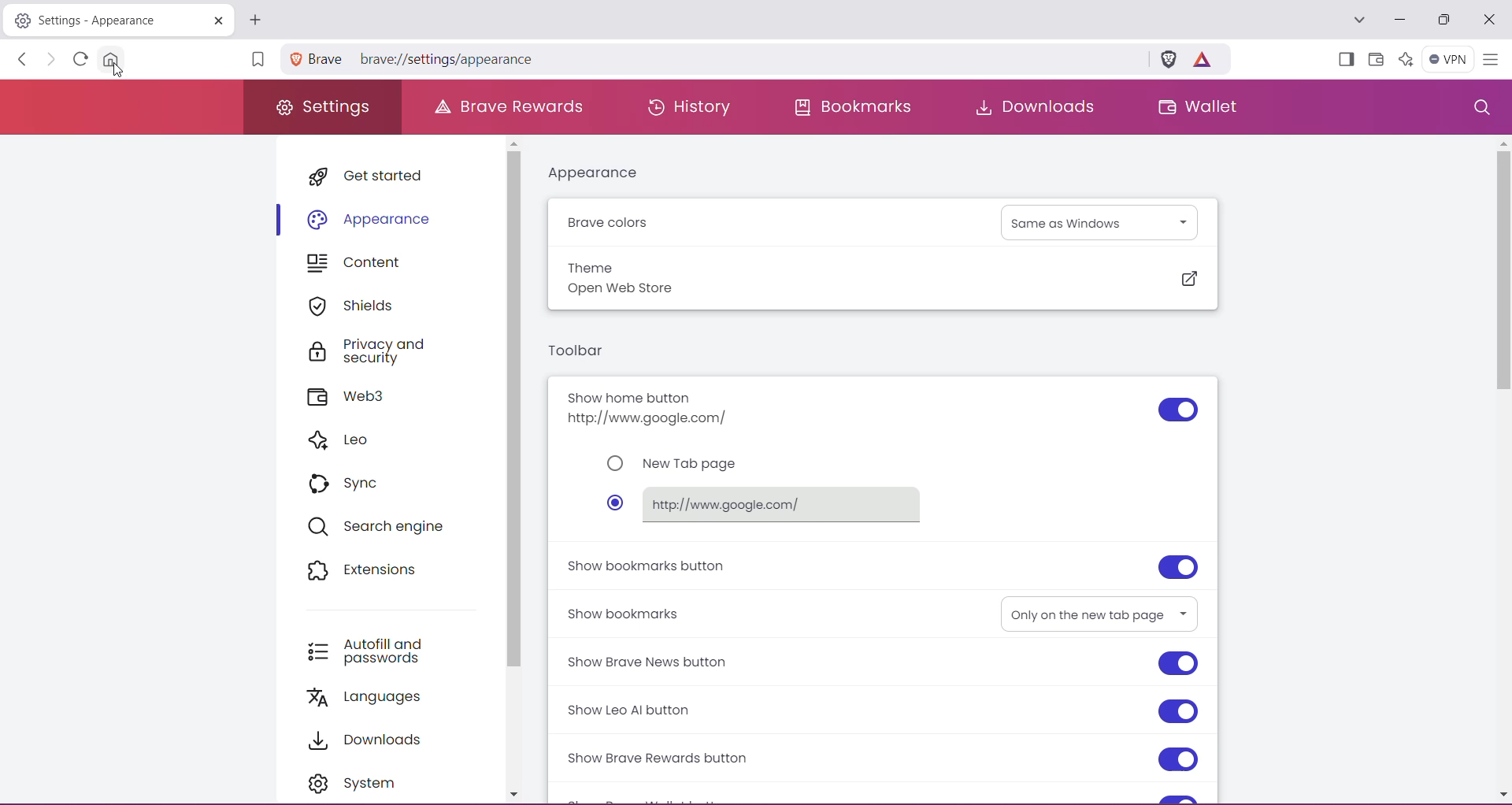 Image resolution: width=1512 pixels, height=805 pixels. I want to click on Set Brave colors from the list, so click(1102, 221).